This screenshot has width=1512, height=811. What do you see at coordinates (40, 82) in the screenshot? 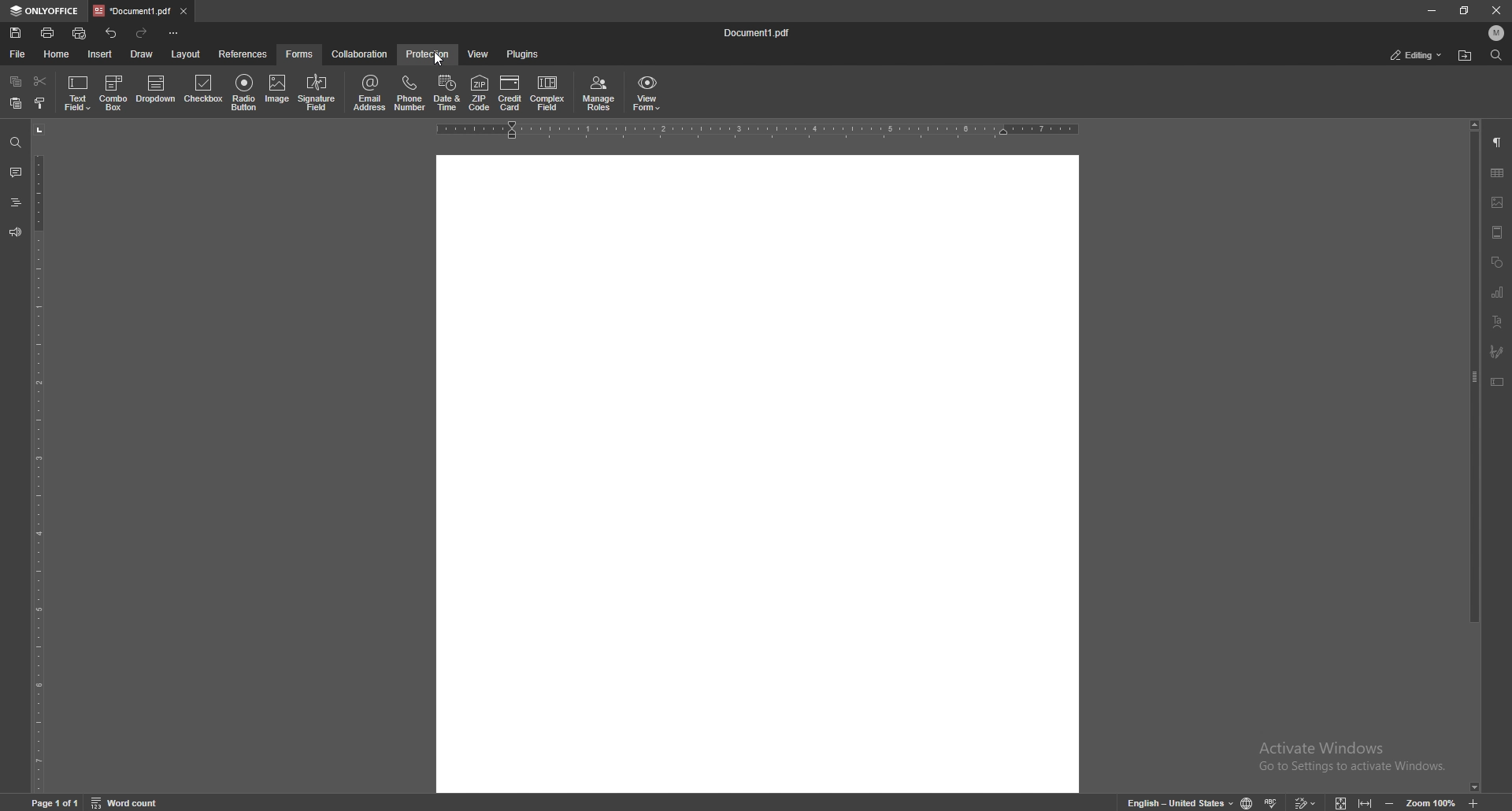
I see `cut` at bounding box center [40, 82].